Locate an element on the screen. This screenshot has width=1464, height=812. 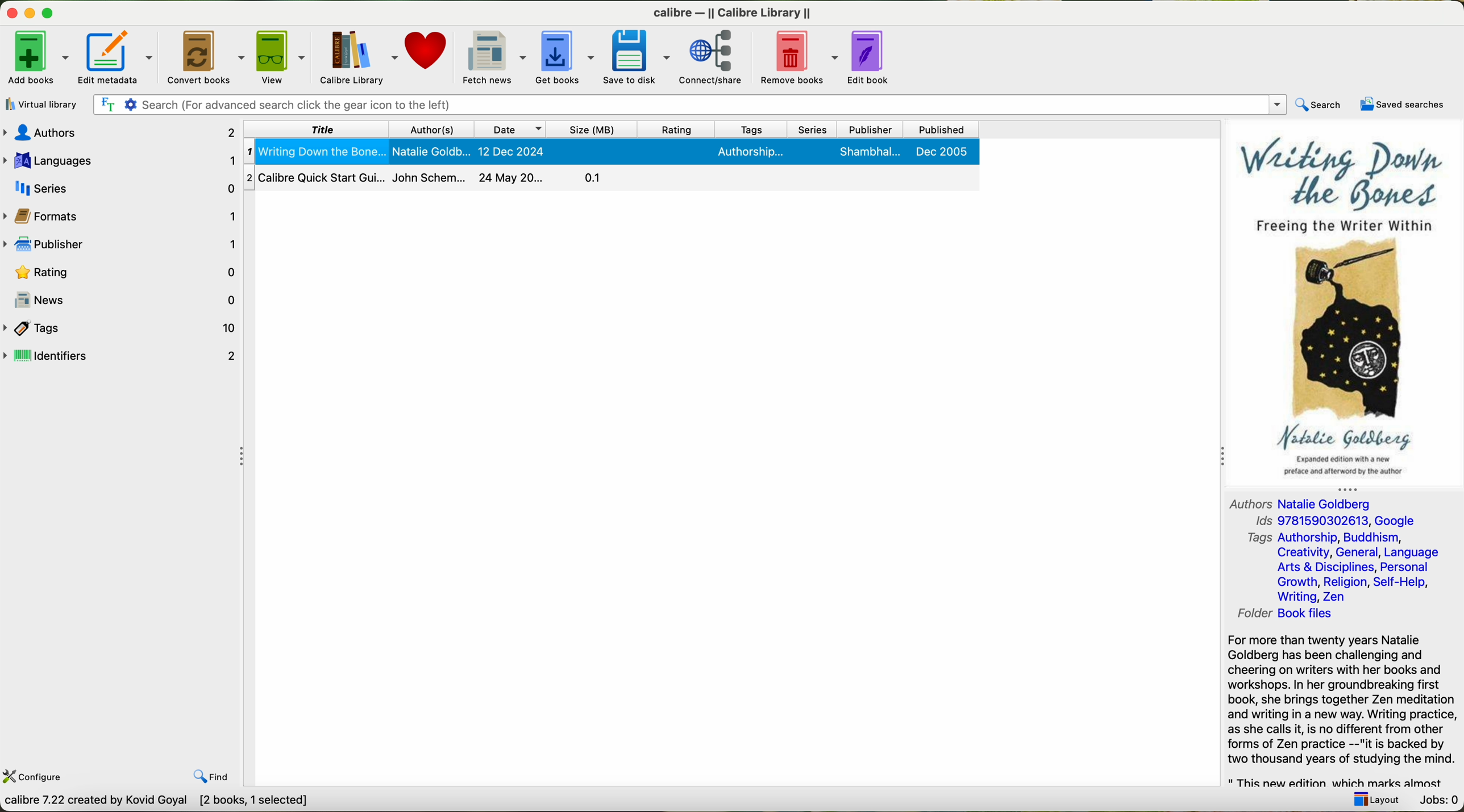
view is located at coordinates (285, 56).